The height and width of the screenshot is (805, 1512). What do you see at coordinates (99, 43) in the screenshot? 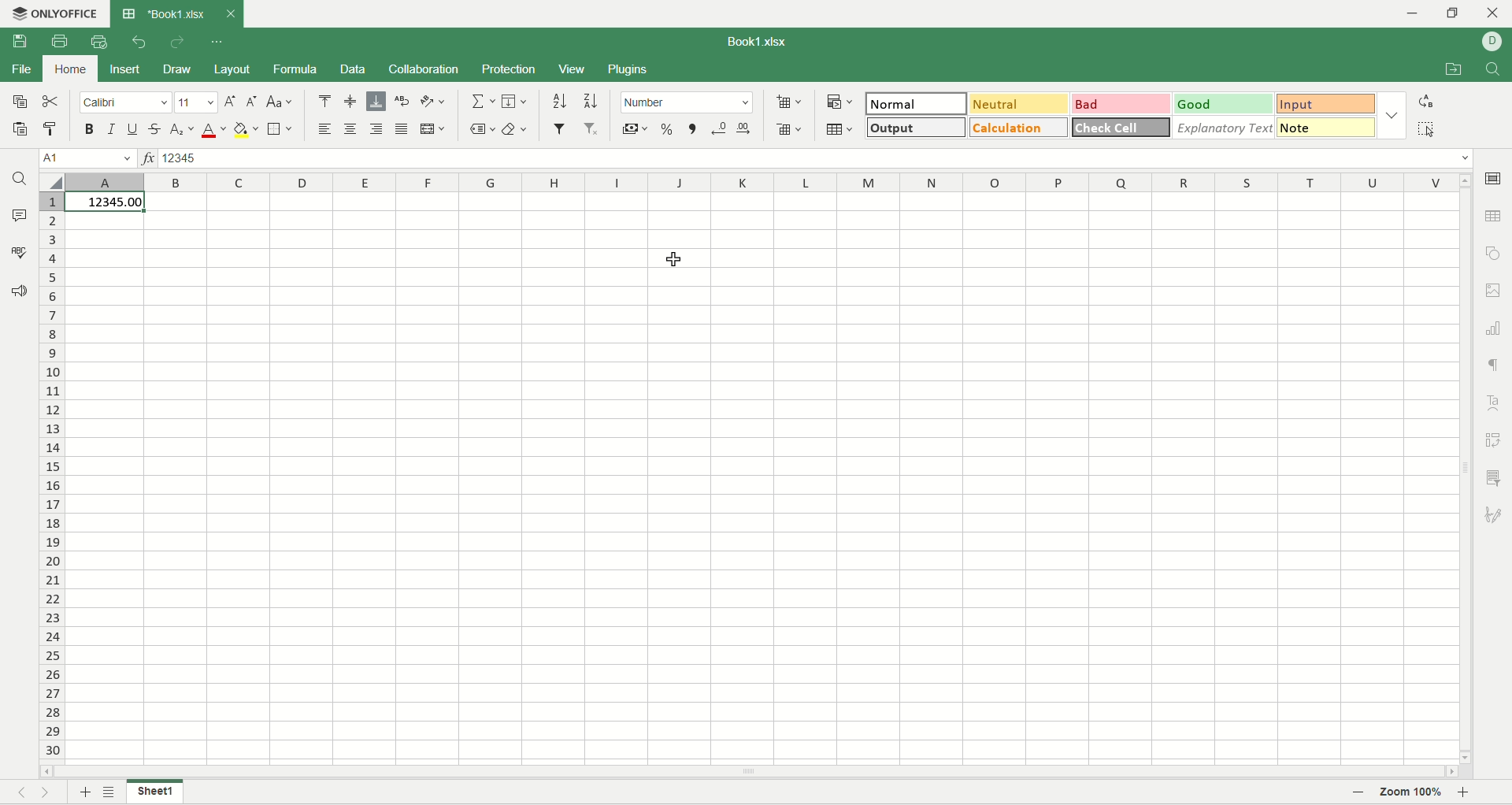
I see `quick print` at bounding box center [99, 43].